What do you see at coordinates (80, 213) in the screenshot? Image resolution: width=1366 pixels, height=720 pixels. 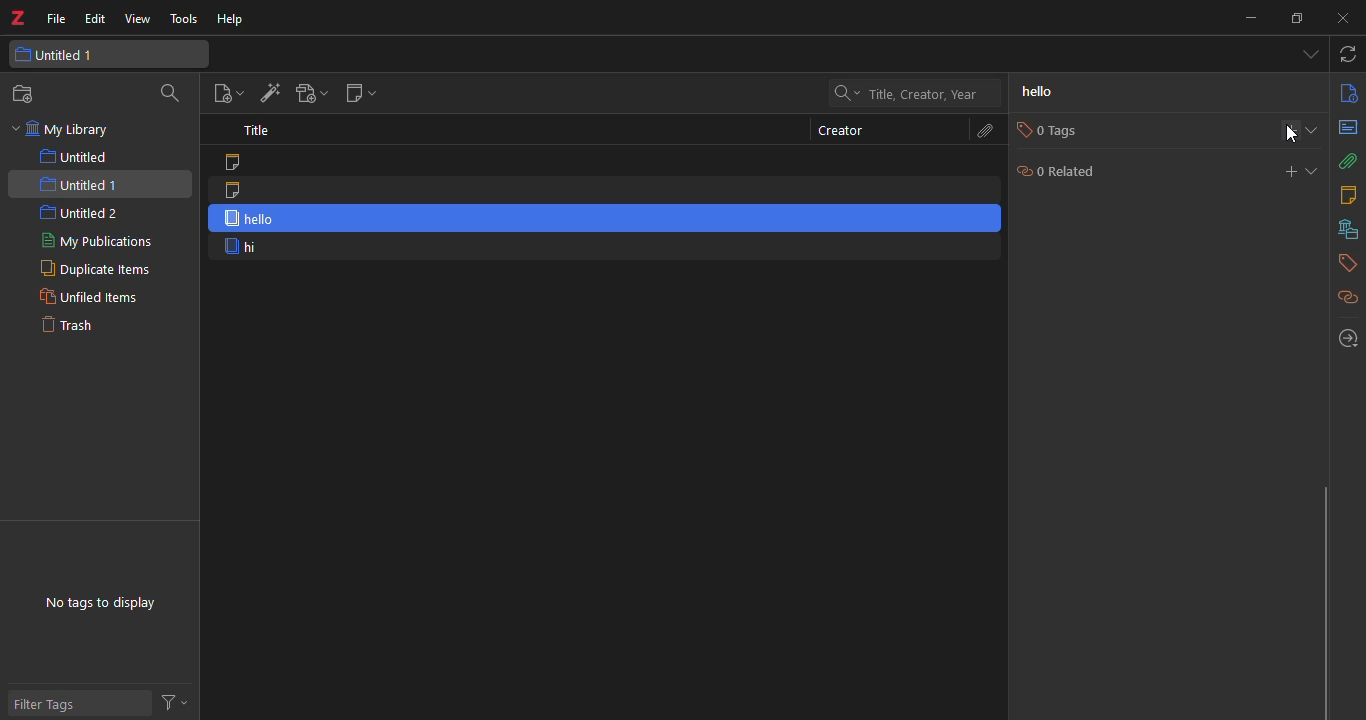 I see `untitled 2` at bounding box center [80, 213].